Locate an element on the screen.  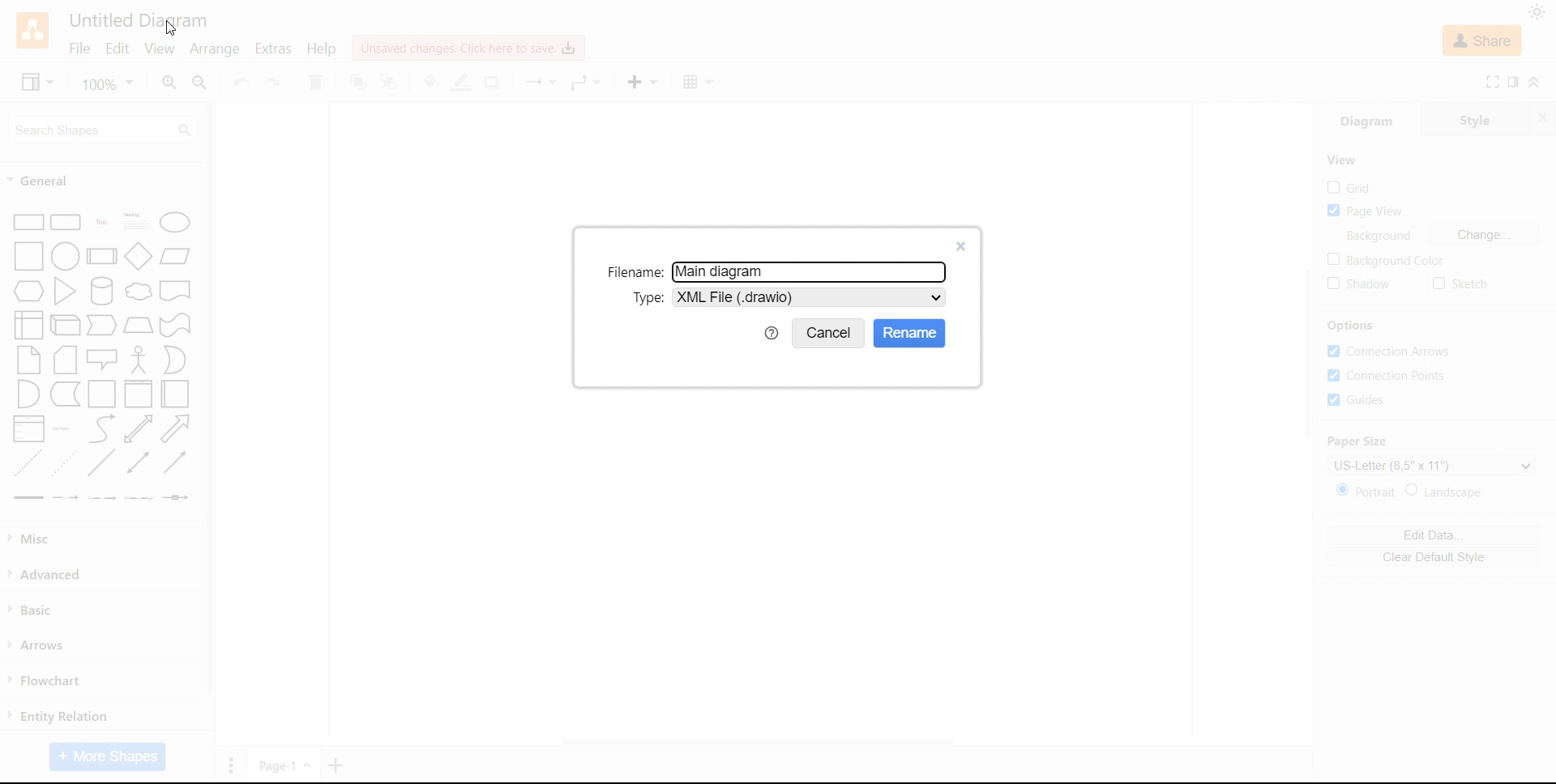
Rename  is located at coordinates (910, 333).